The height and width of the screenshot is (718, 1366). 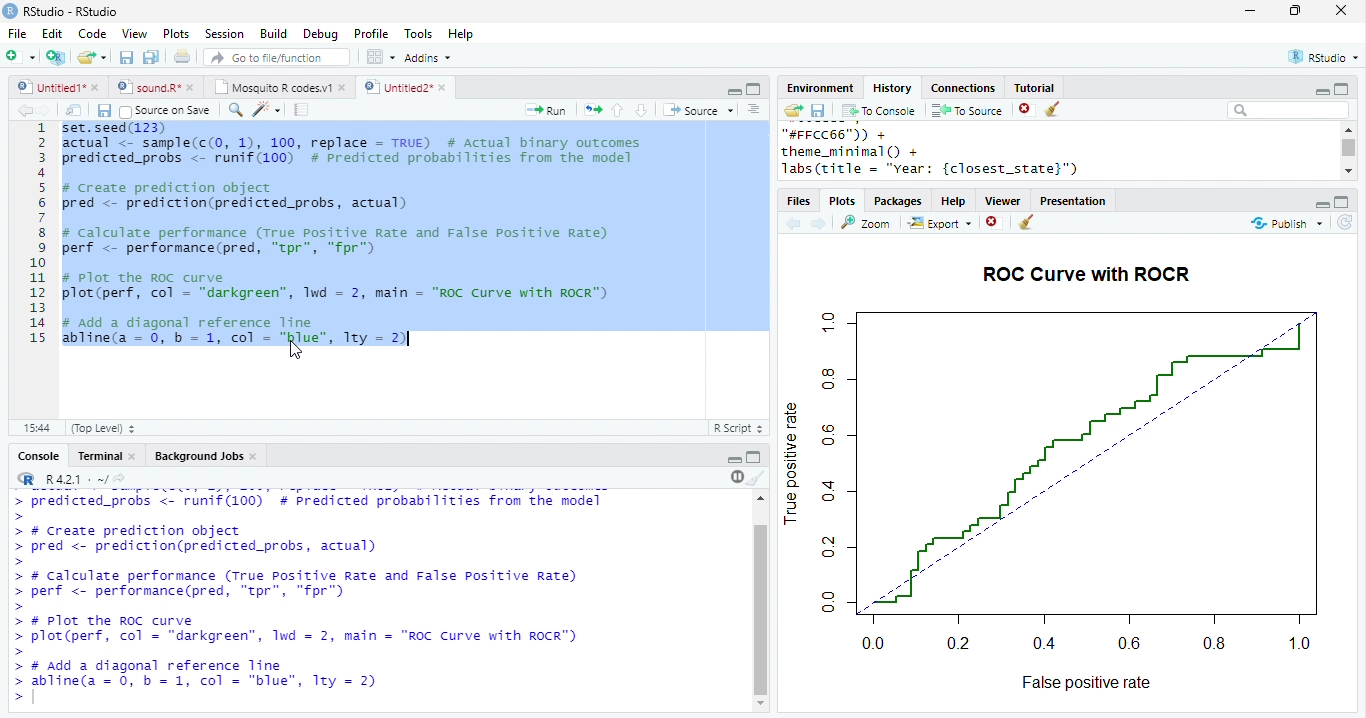 What do you see at coordinates (104, 111) in the screenshot?
I see `save` at bounding box center [104, 111].